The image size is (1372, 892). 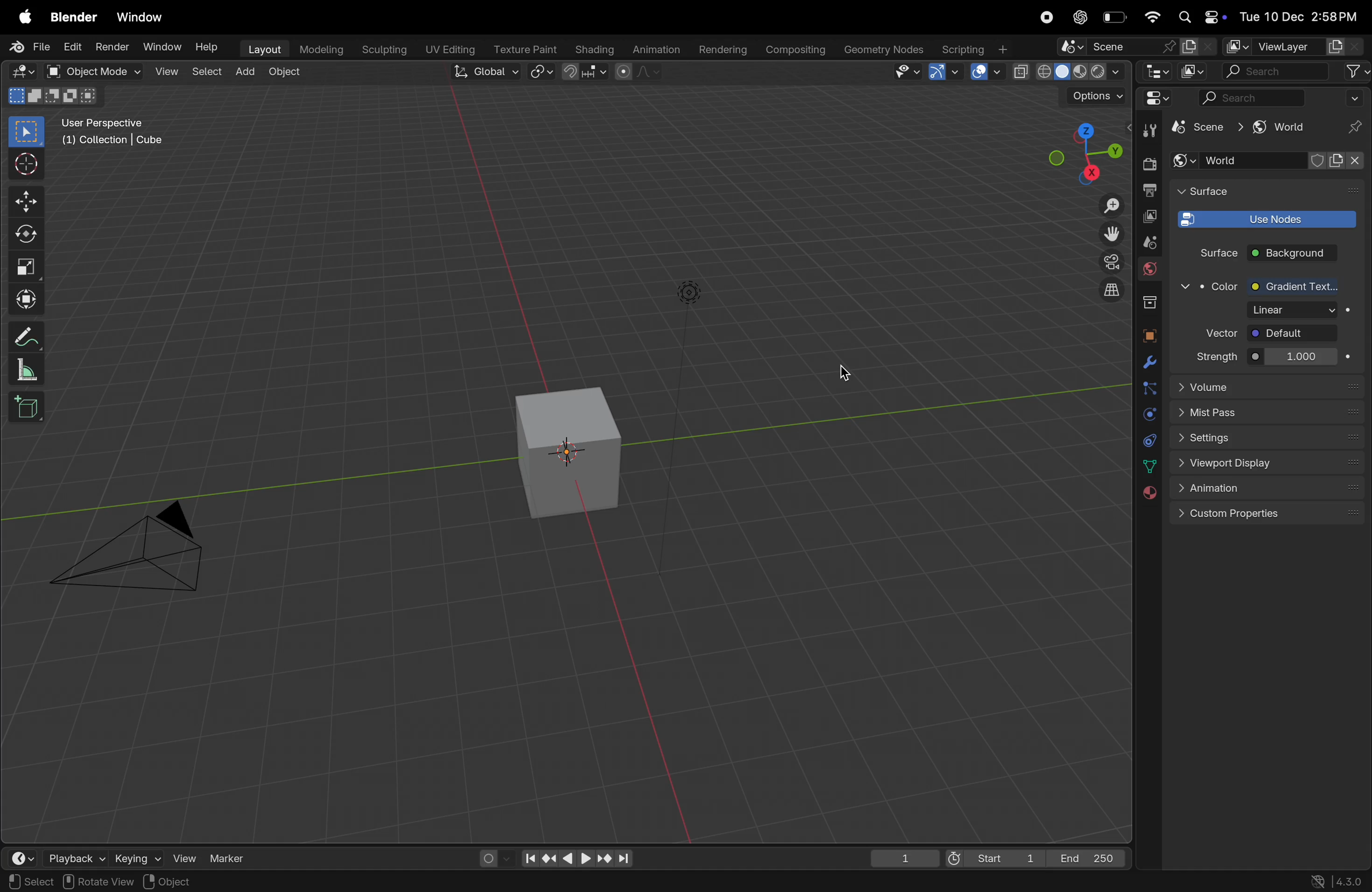 What do you see at coordinates (28, 299) in the screenshot?
I see `Transform` at bounding box center [28, 299].